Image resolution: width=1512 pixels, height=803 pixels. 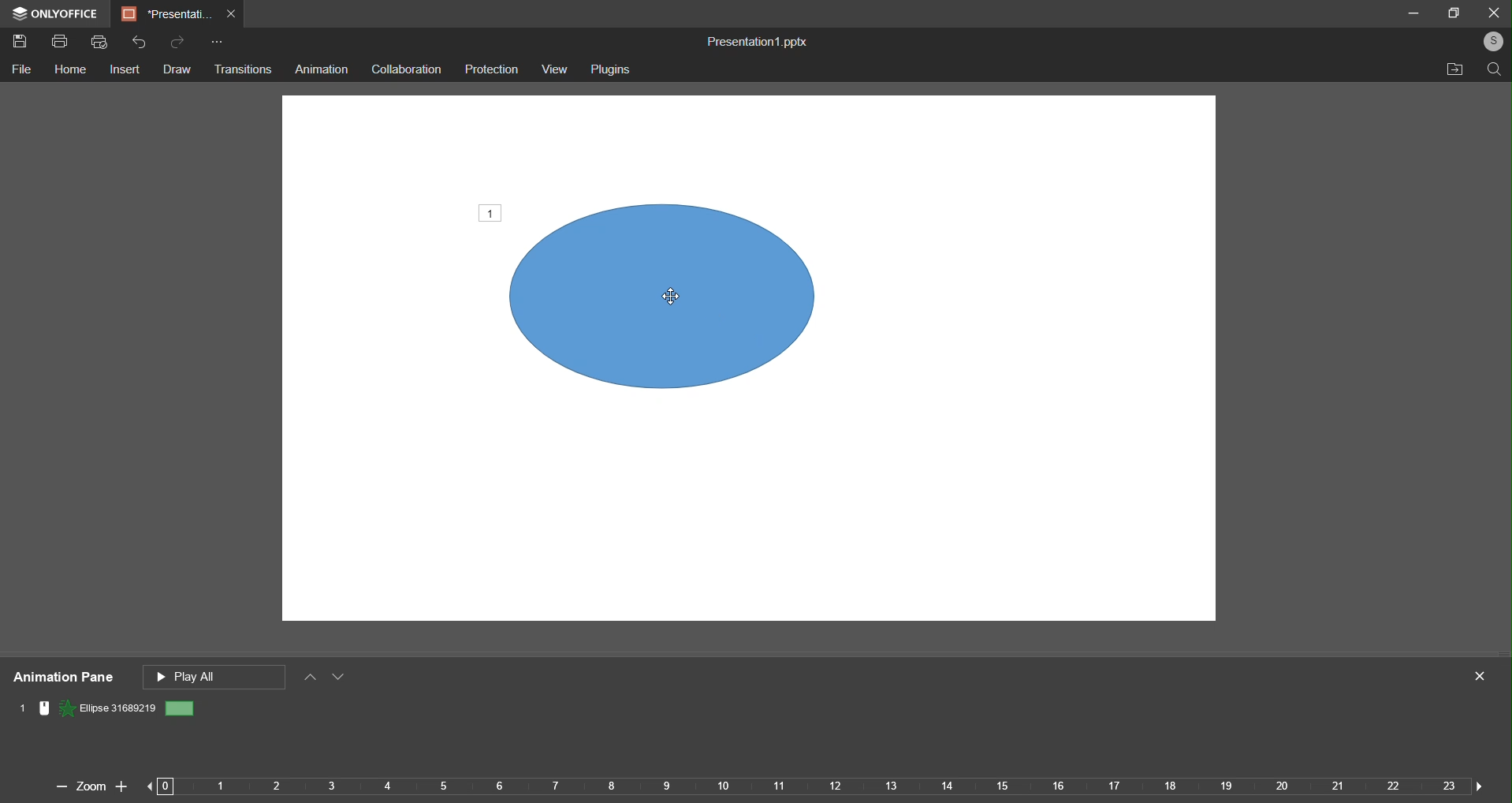 I want to click on next, so click(x=1475, y=784).